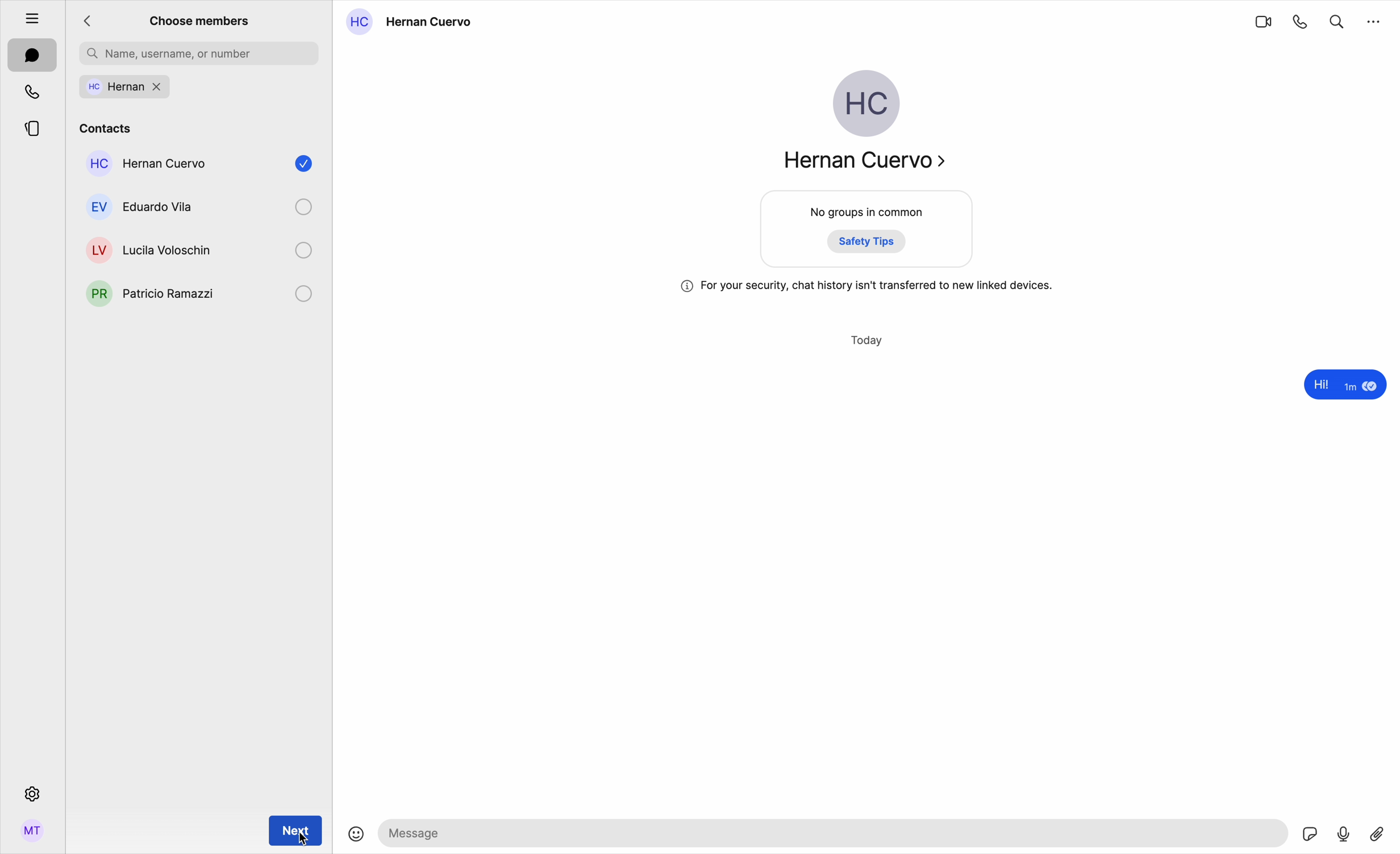 The height and width of the screenshot is (854, 1400). Describe the element at coordinates (836, 832) in the screenshot. I see `space to write` at that location.